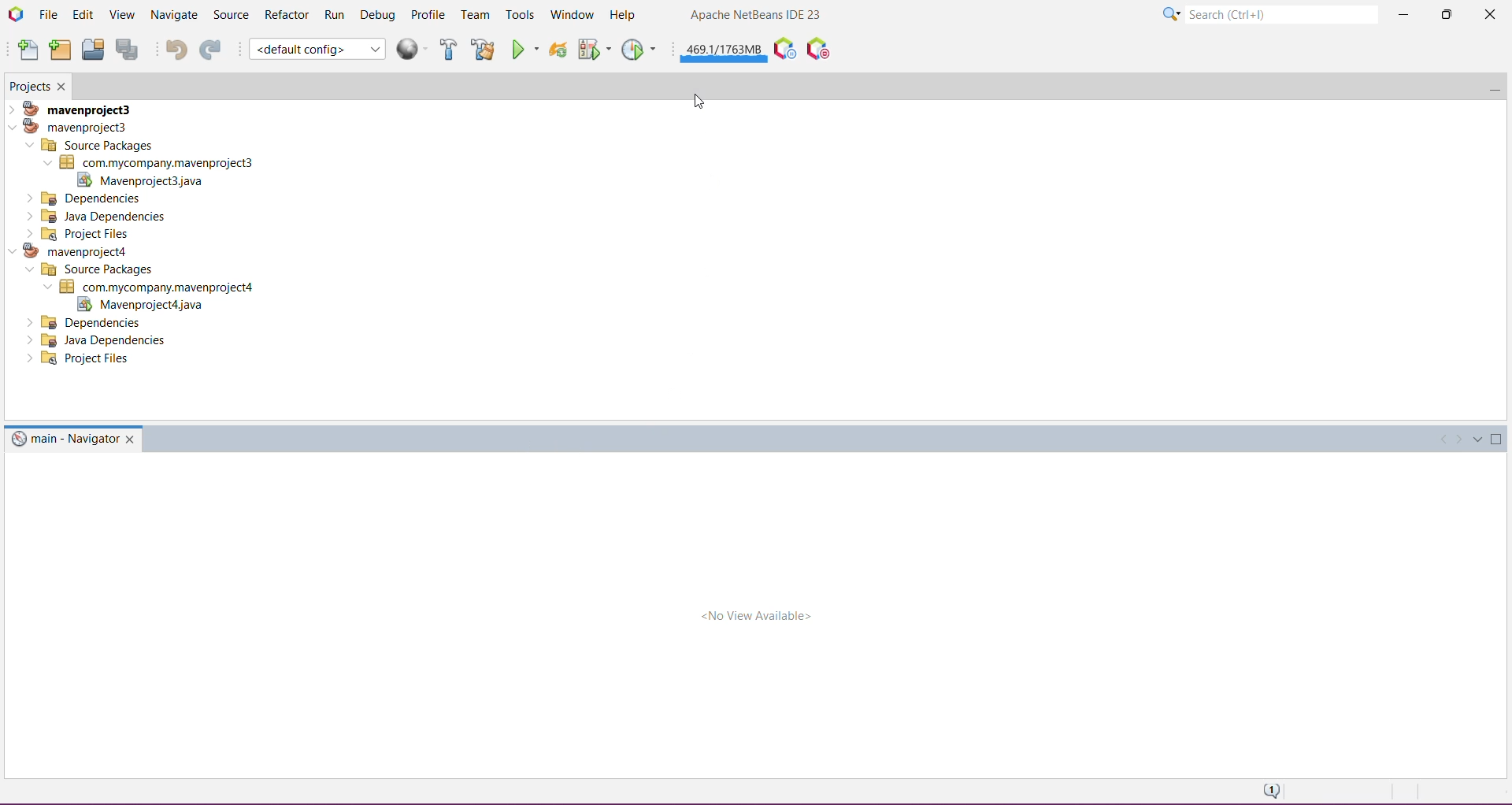 Image resolution: width=1512 pixels, height=805 pixels. I want to click on Dependencies, so click(86, 198).